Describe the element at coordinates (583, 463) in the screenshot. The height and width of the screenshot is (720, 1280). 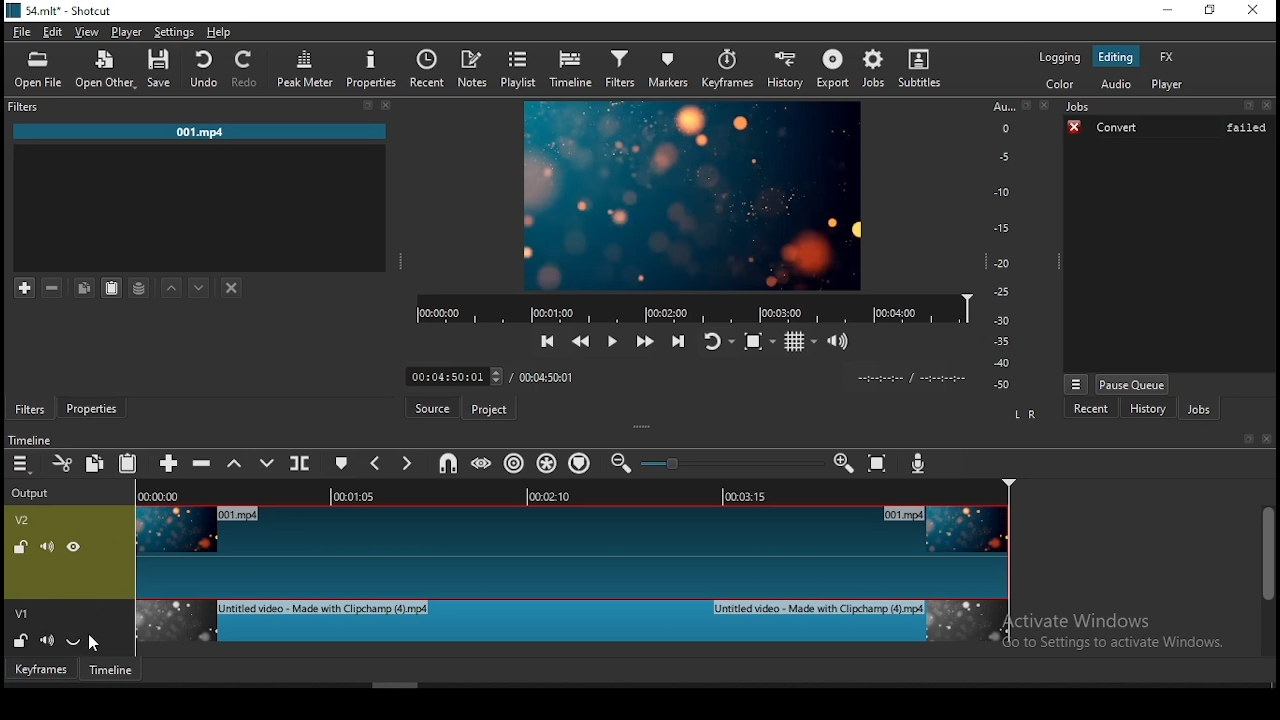
I see `ripple markers` at that location.